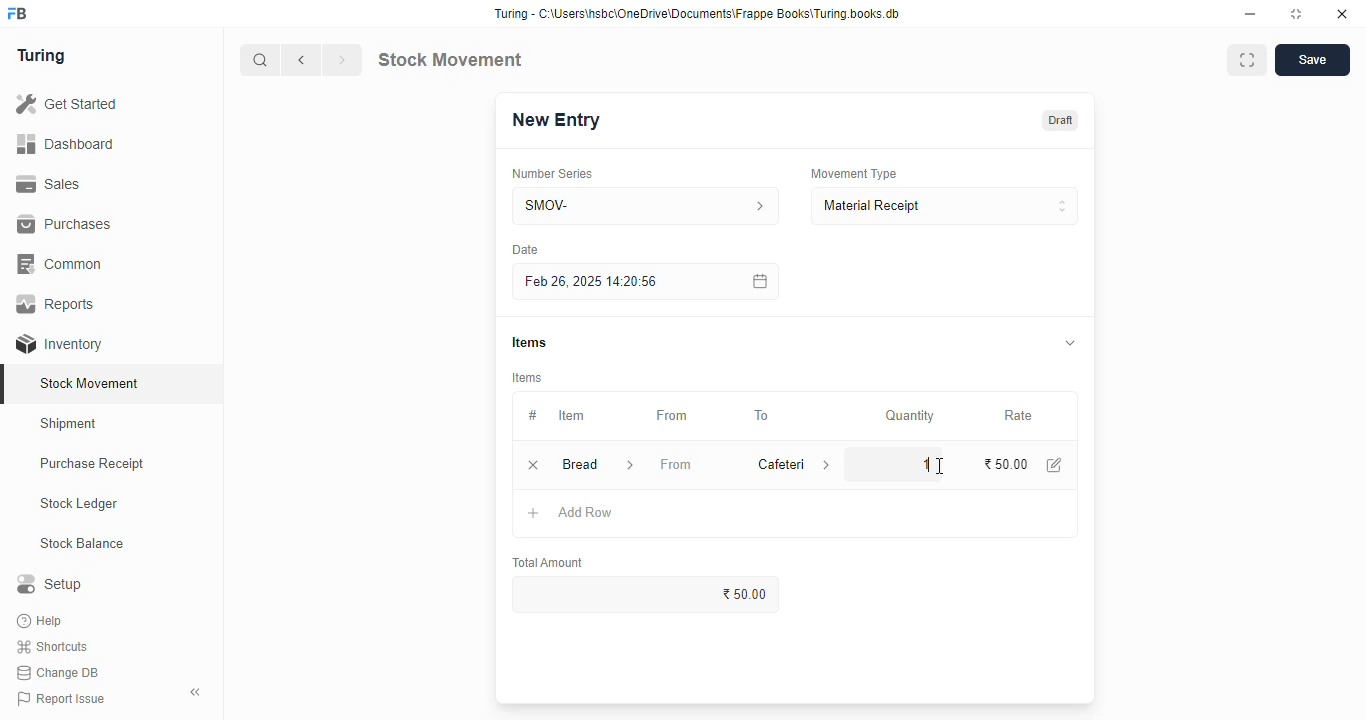 Image resolution: width=1366 pixels, height=720 pixels. Describe the element at coordinates (68, 104) in the screenshot. I see `get started` at that location.